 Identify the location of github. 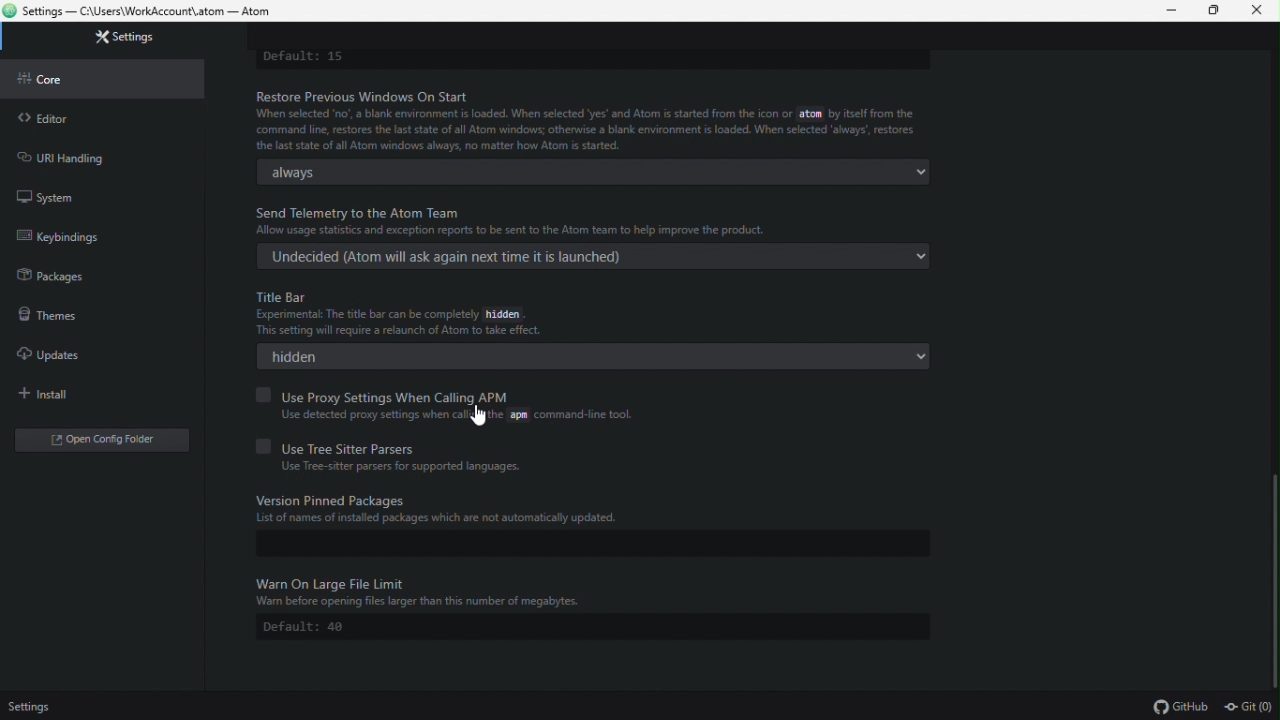
(1179, 706).